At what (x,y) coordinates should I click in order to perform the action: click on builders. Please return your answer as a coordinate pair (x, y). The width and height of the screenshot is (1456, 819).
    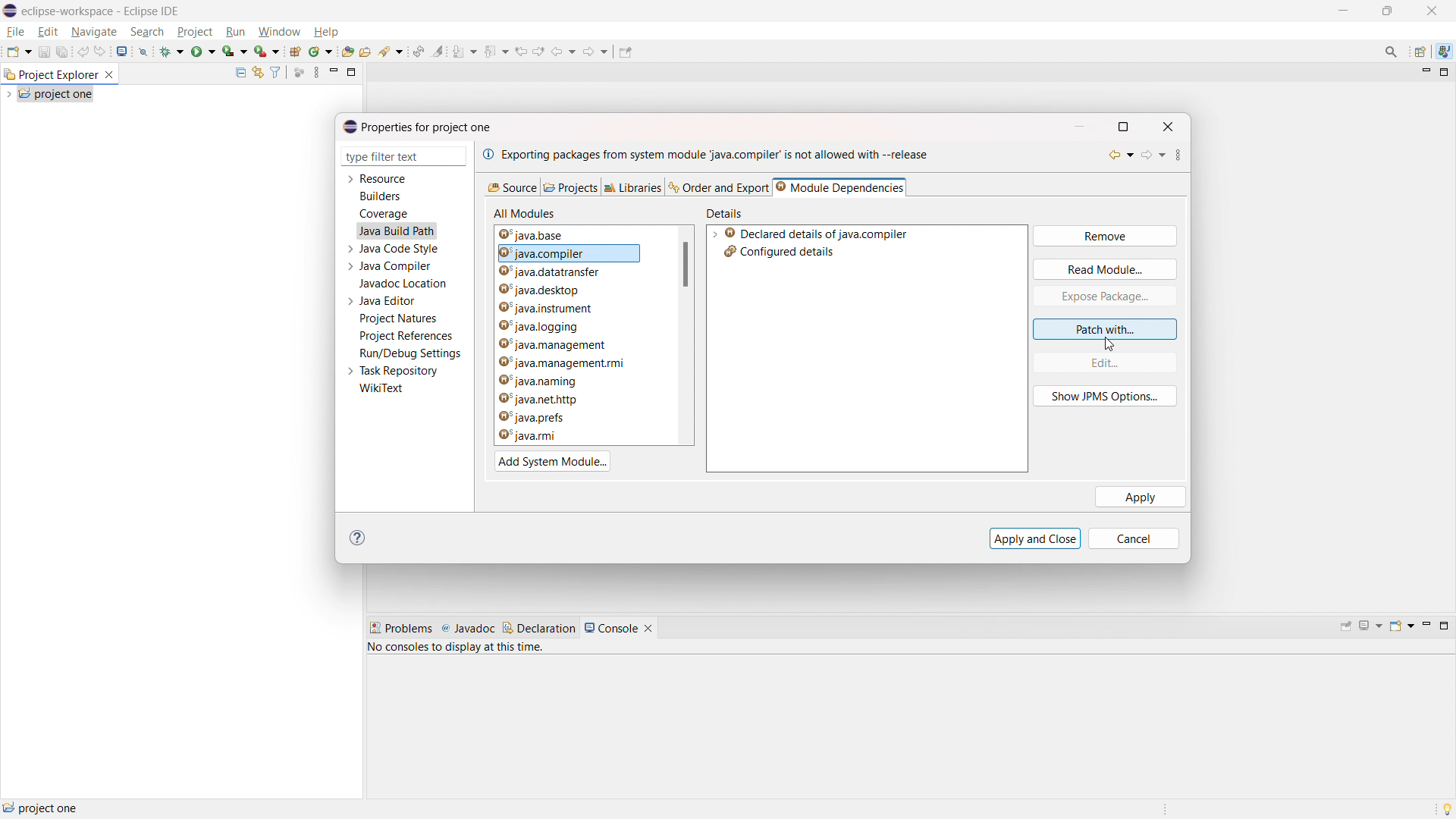
    Looking at the image, I should click on (380, 196).